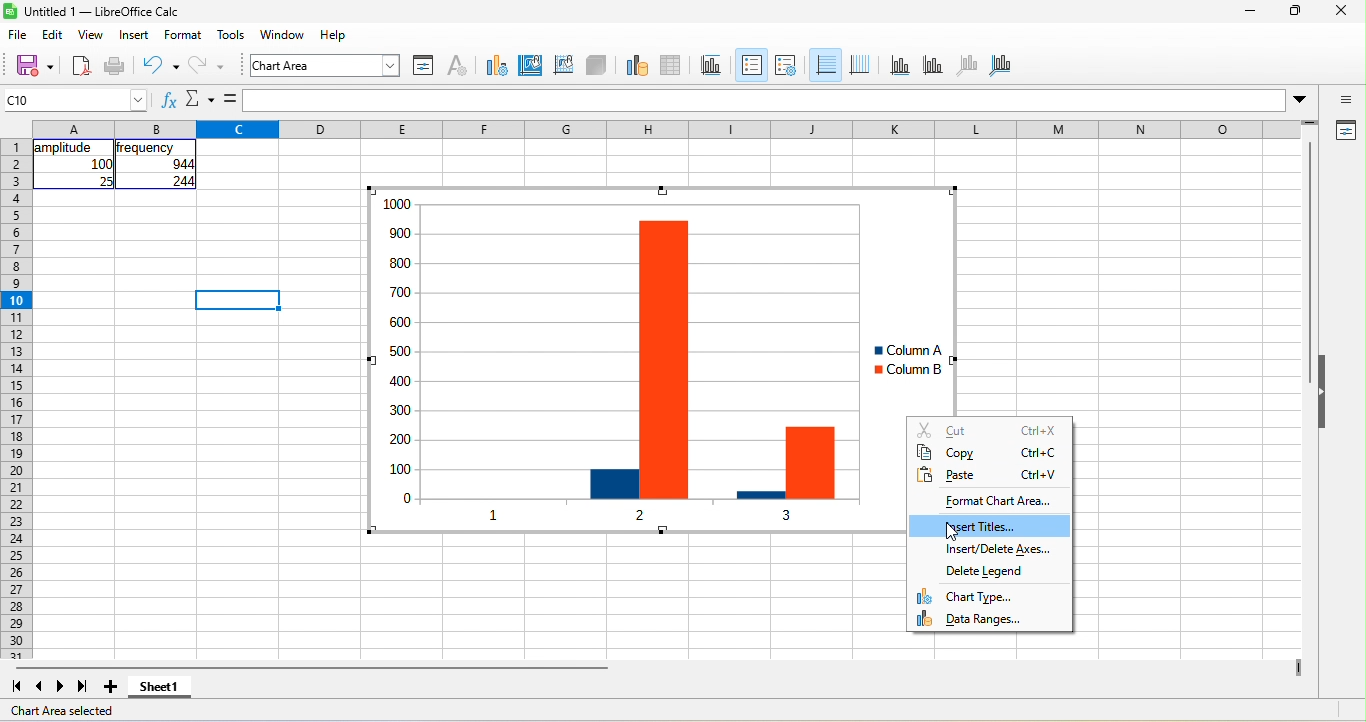  What do you see at coordinates (81, 67) in the screenshot?
I see `export directly as pdf` at bounding box center [81, 67].